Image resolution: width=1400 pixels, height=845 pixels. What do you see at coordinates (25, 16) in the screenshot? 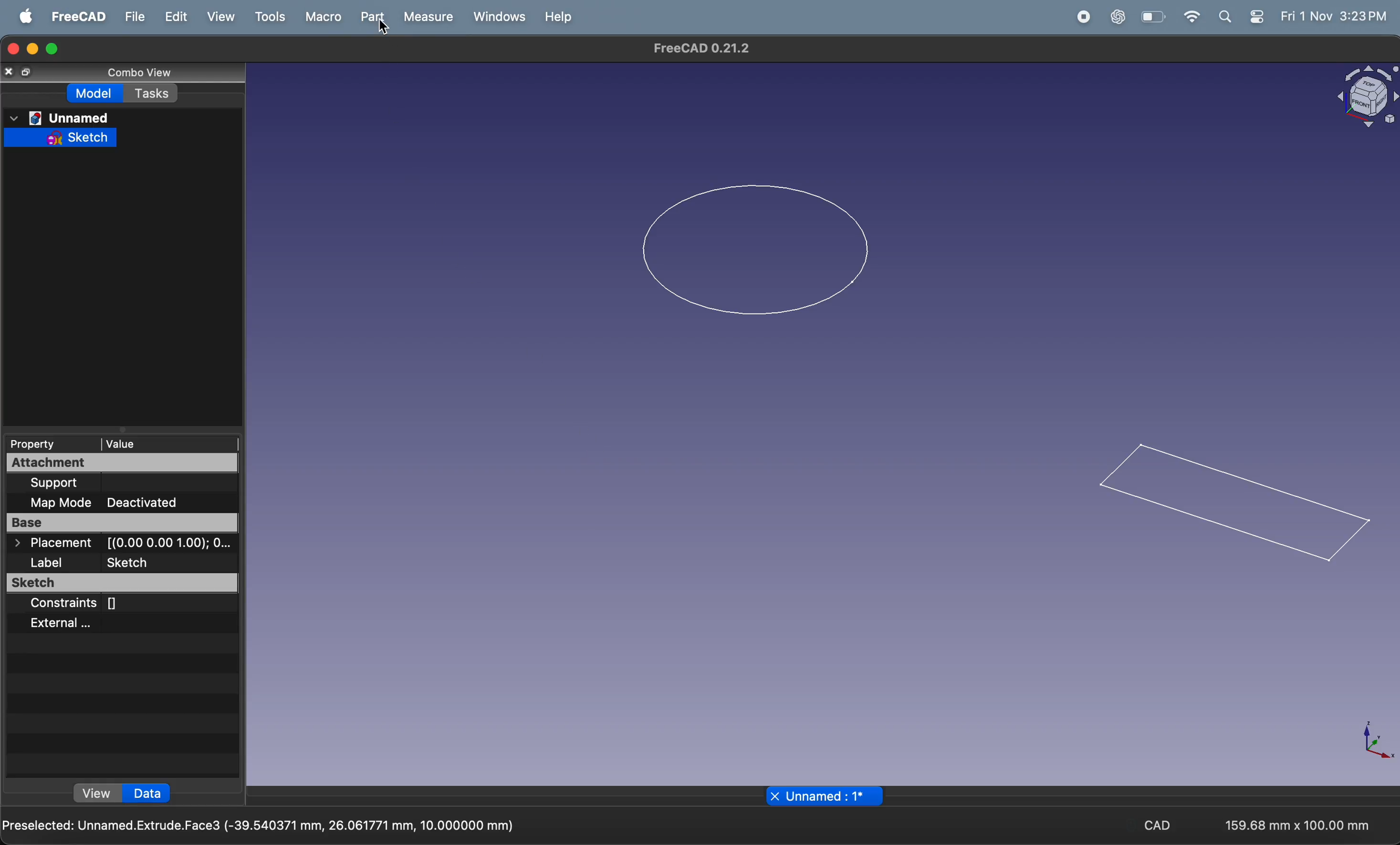
I see `apple menu` at bounding box center [25, 16].